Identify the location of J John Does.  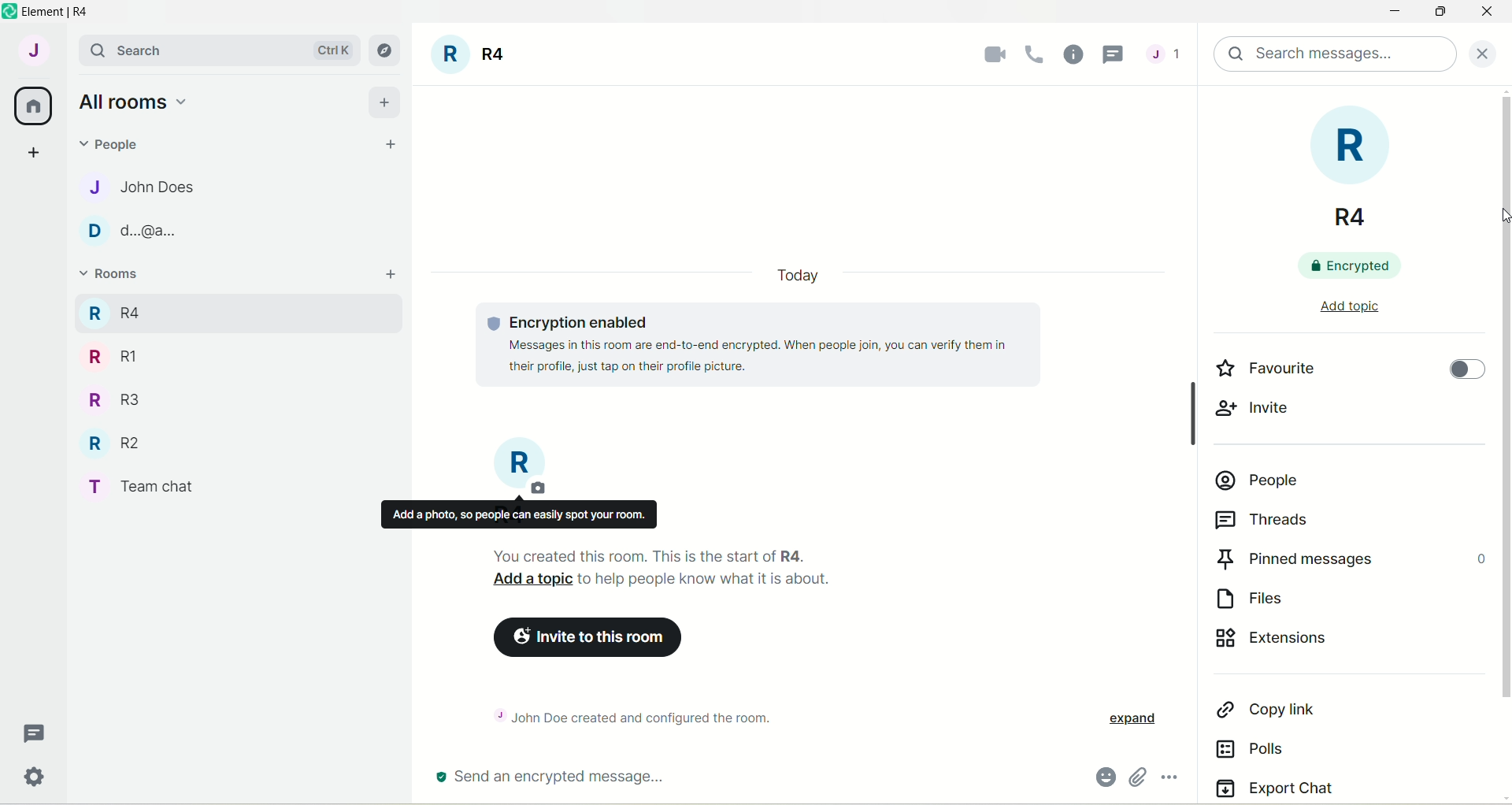
(127, 187).